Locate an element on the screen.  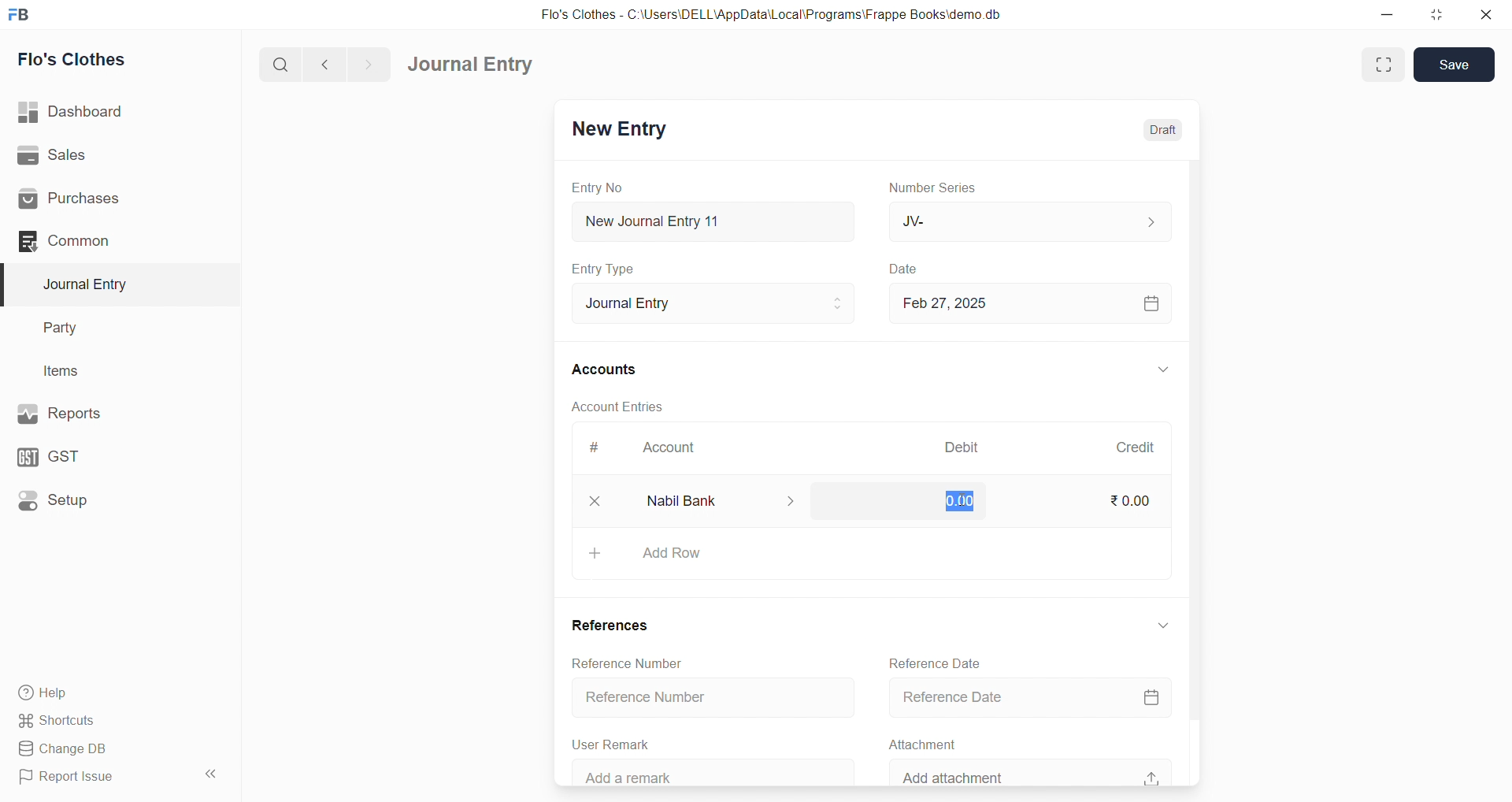
Flo's Clothes - C:\Users\DELL\AppData\Local\Programs\Frappe Books\demo.db is located at coordinates (771, 13).